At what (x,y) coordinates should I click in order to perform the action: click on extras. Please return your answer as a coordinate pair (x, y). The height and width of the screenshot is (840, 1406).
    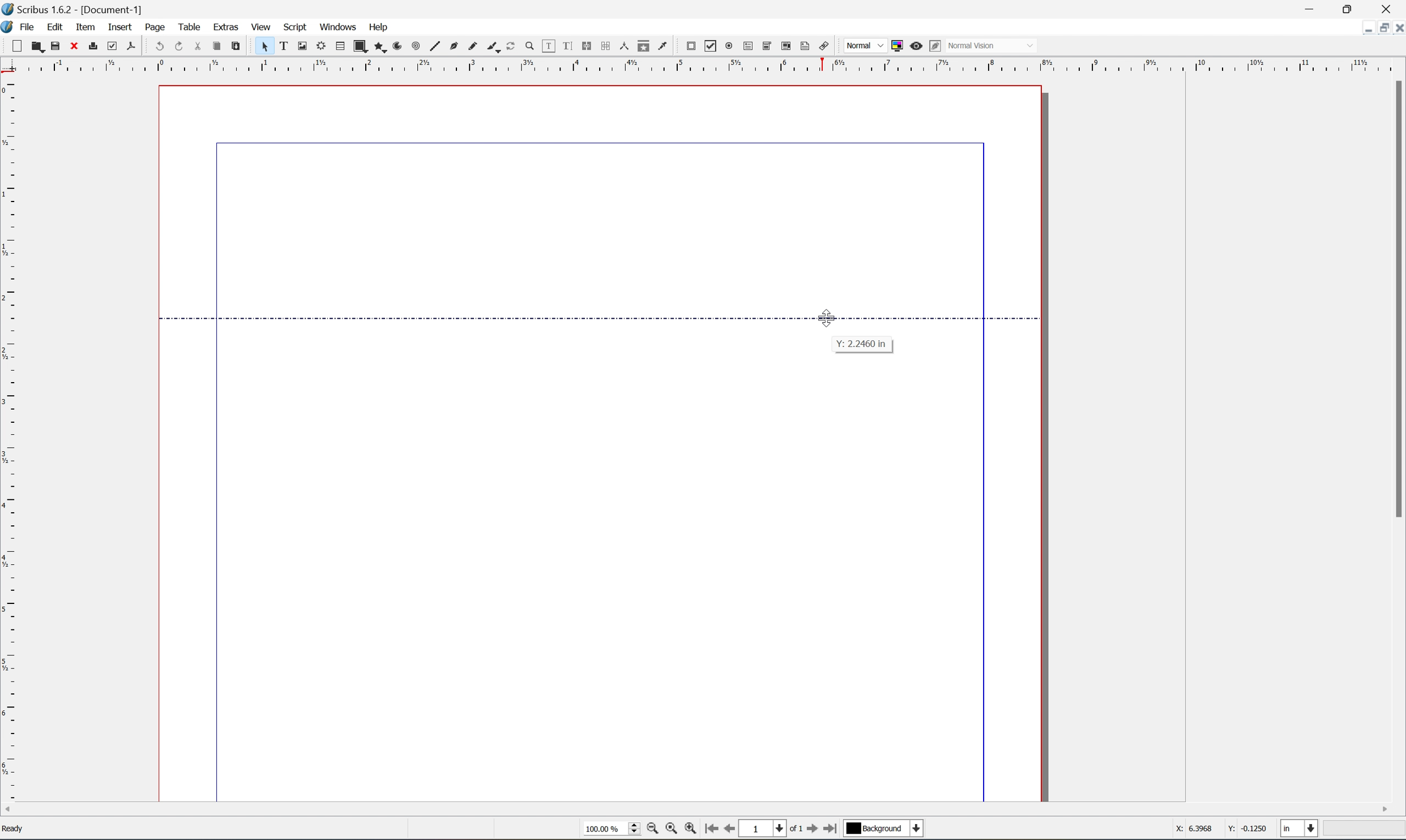
    Looking at the image, I should click on (220, 26).